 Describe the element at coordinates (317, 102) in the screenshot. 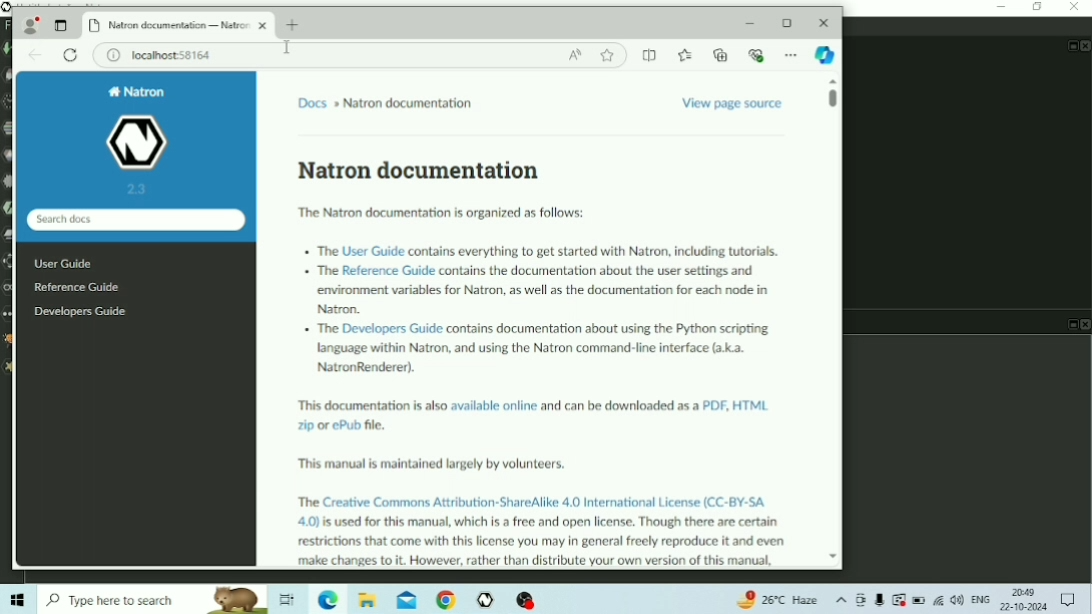

I see `Docs` at that location.